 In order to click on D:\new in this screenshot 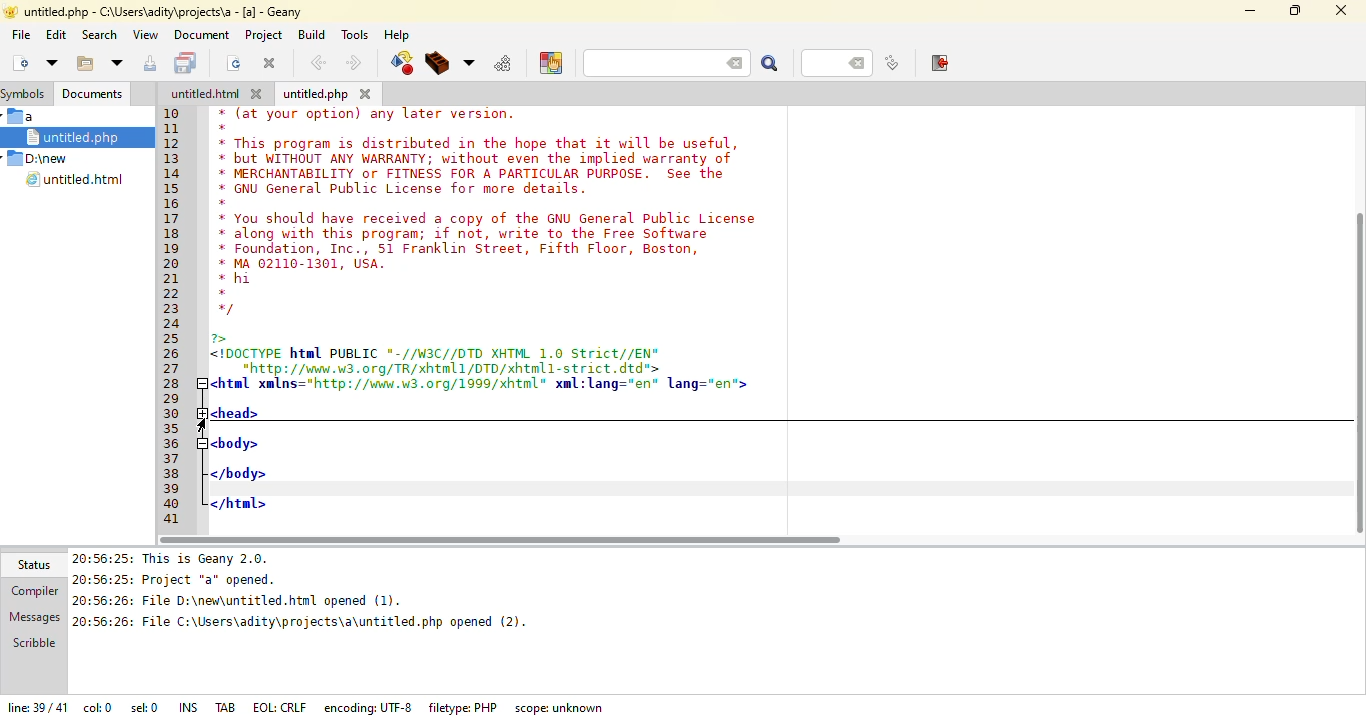, I will do `click(38, 159)`.